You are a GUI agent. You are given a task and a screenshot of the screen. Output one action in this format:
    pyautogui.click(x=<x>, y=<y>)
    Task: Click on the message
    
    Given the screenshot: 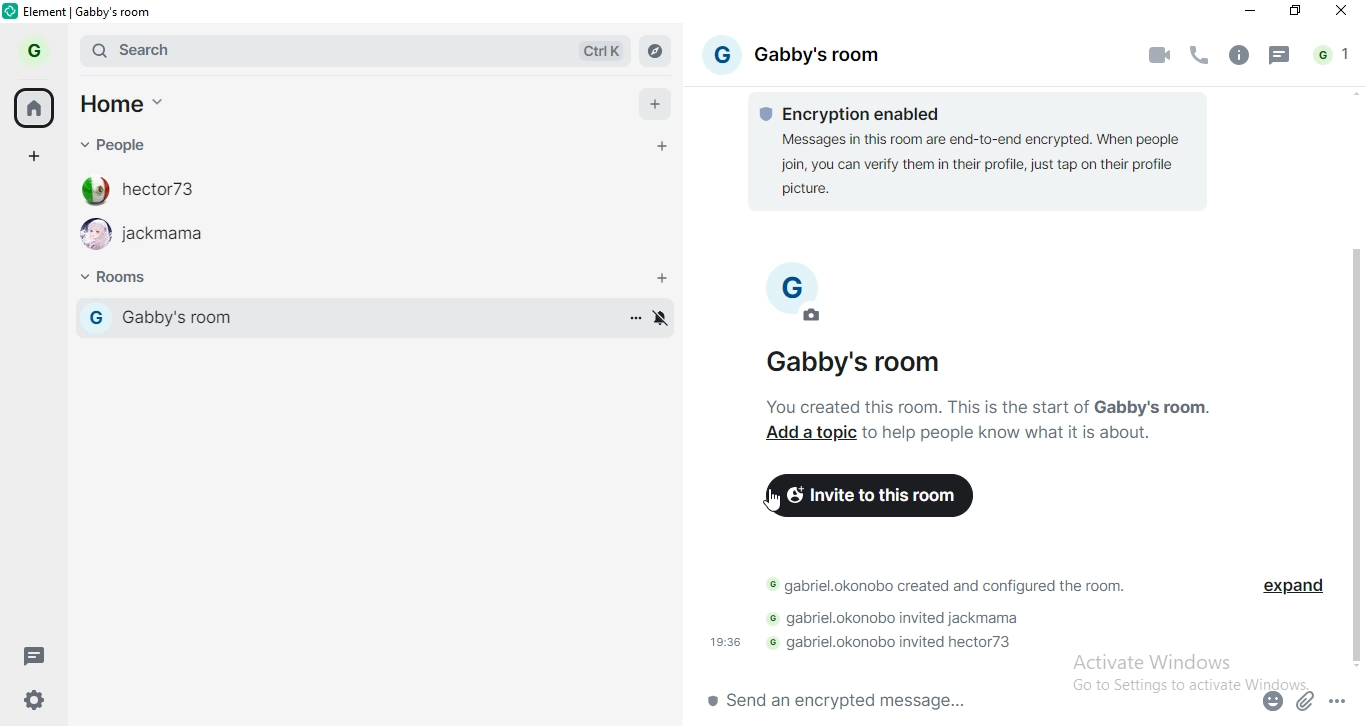 What is the action you would take?
    pyautogui.click(x=34, y=659)
    